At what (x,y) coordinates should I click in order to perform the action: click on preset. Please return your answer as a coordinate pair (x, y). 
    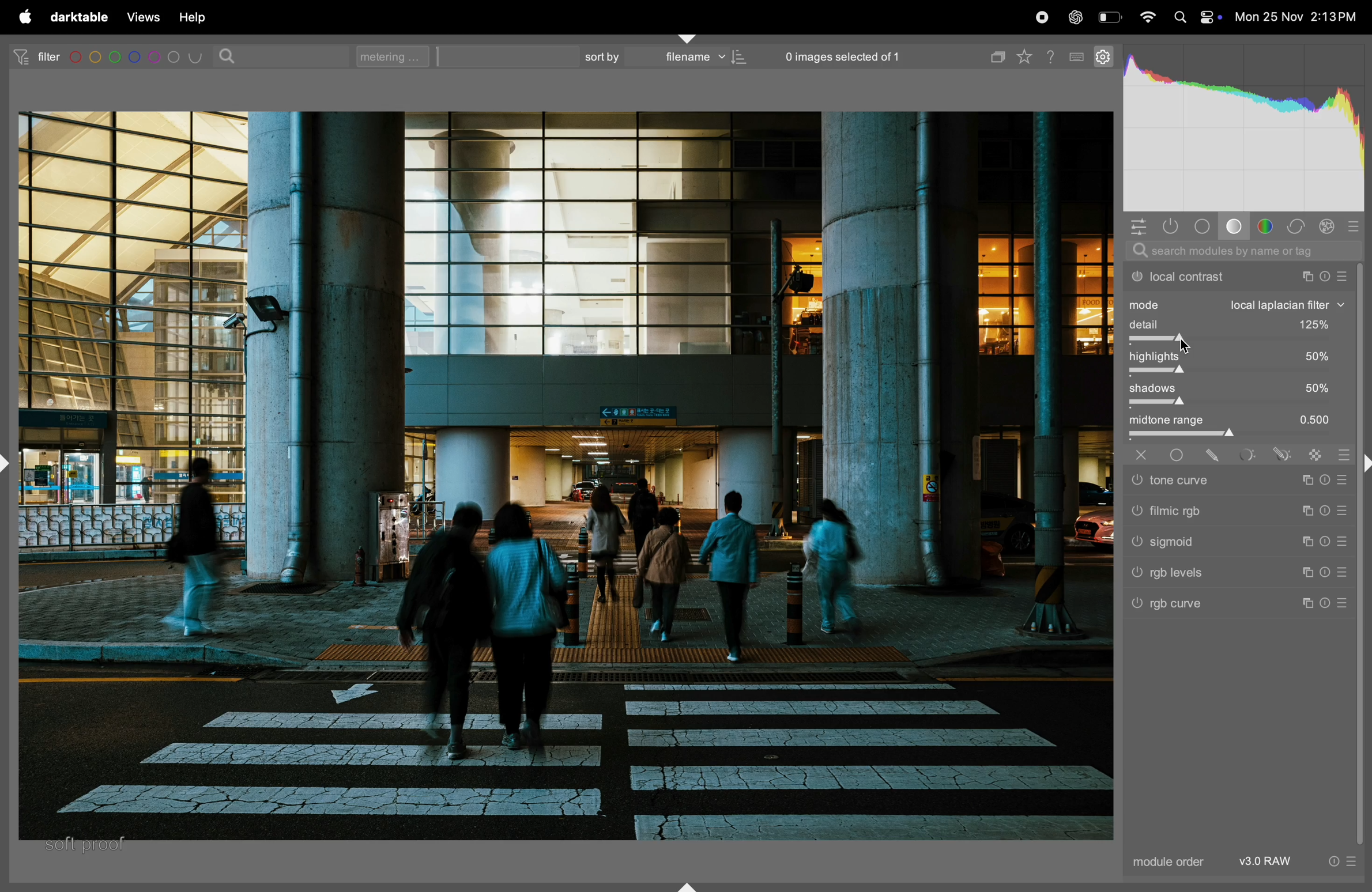
    Looking at the image, I should click on (1343, 479).